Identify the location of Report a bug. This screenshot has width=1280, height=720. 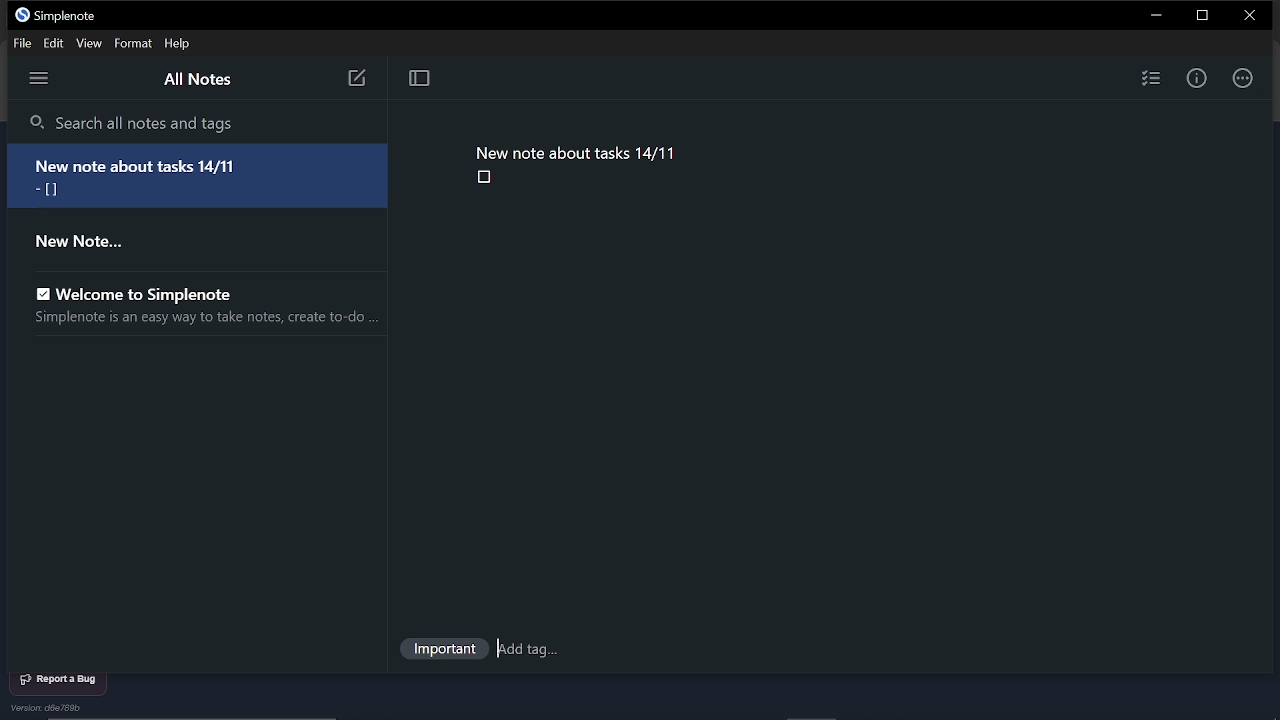
(64, 678).